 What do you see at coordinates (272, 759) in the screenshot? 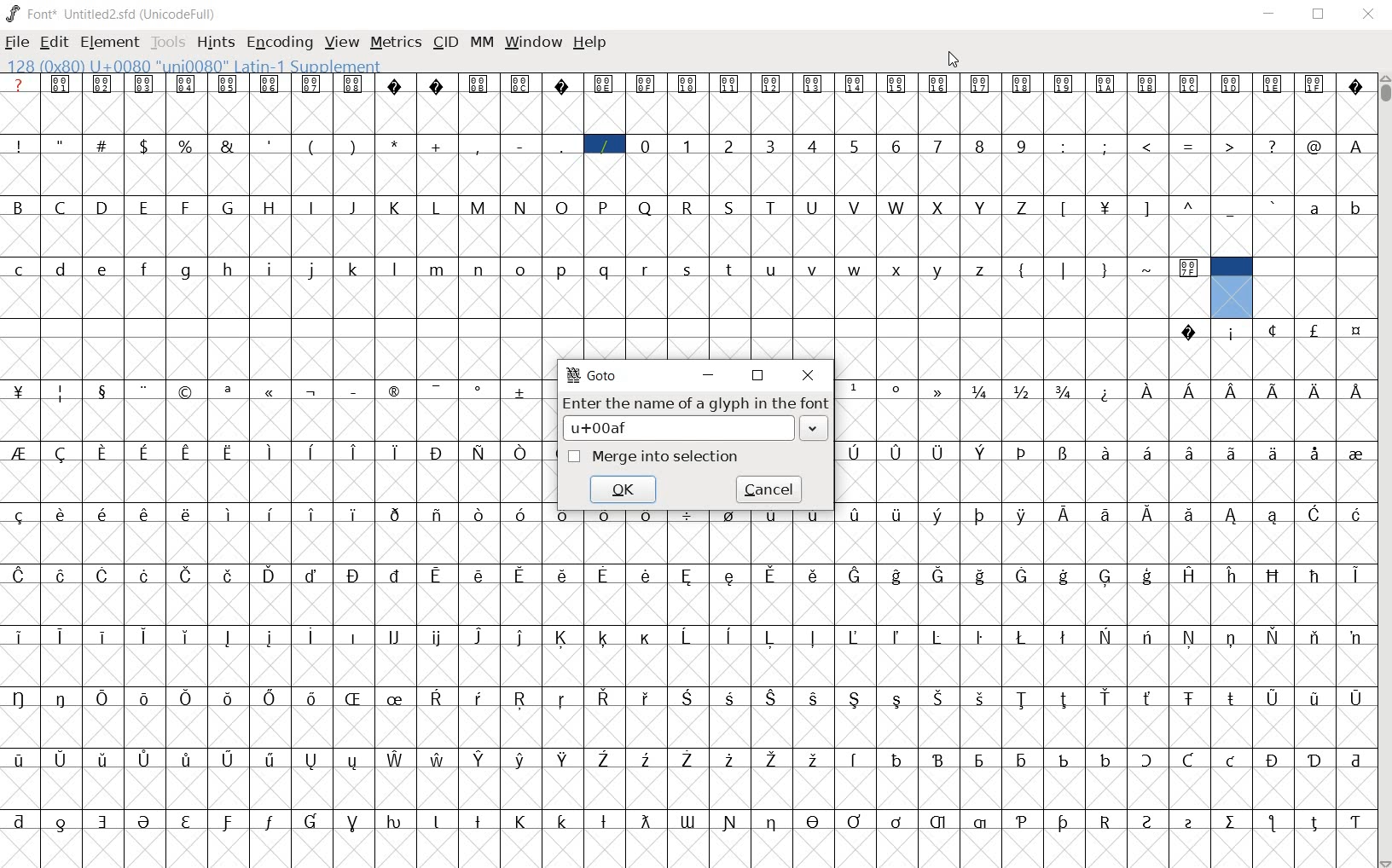
I see `Symbol` at bounding box center [272, 759].